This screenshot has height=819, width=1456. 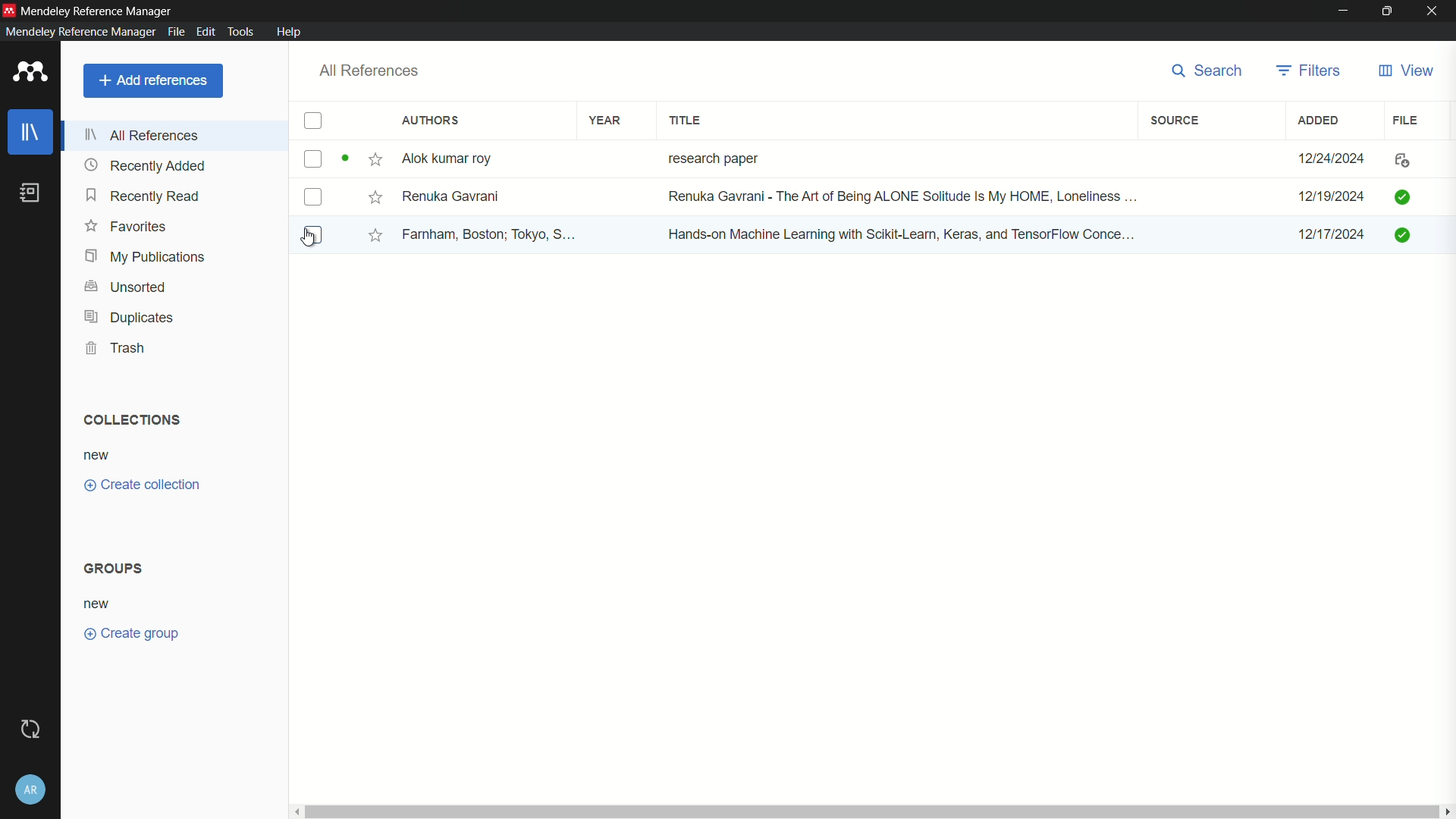 I want to click on recently added, so click(x=147, y=165).